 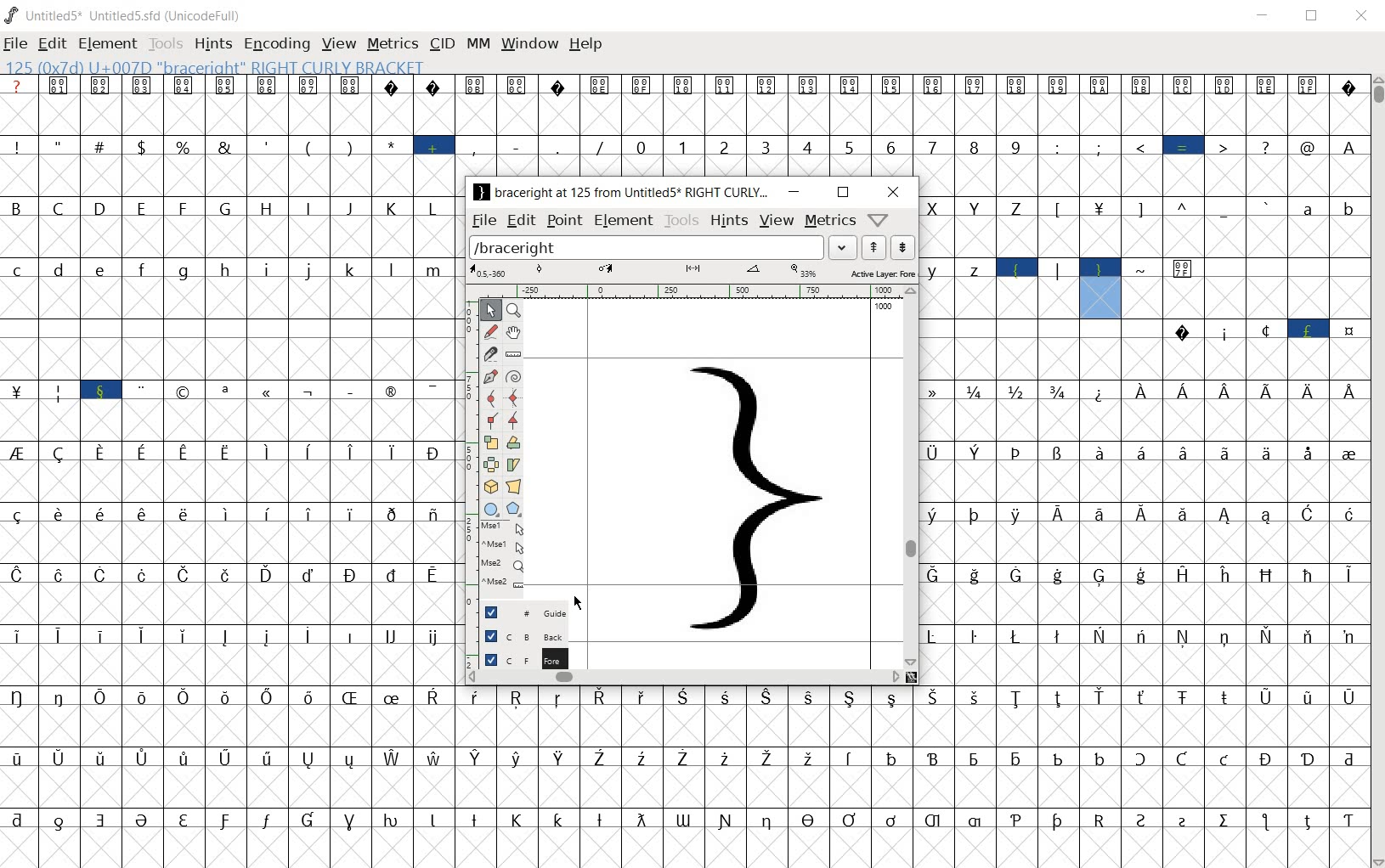 I want to click on TOOLS, so click(x=164, y=45).